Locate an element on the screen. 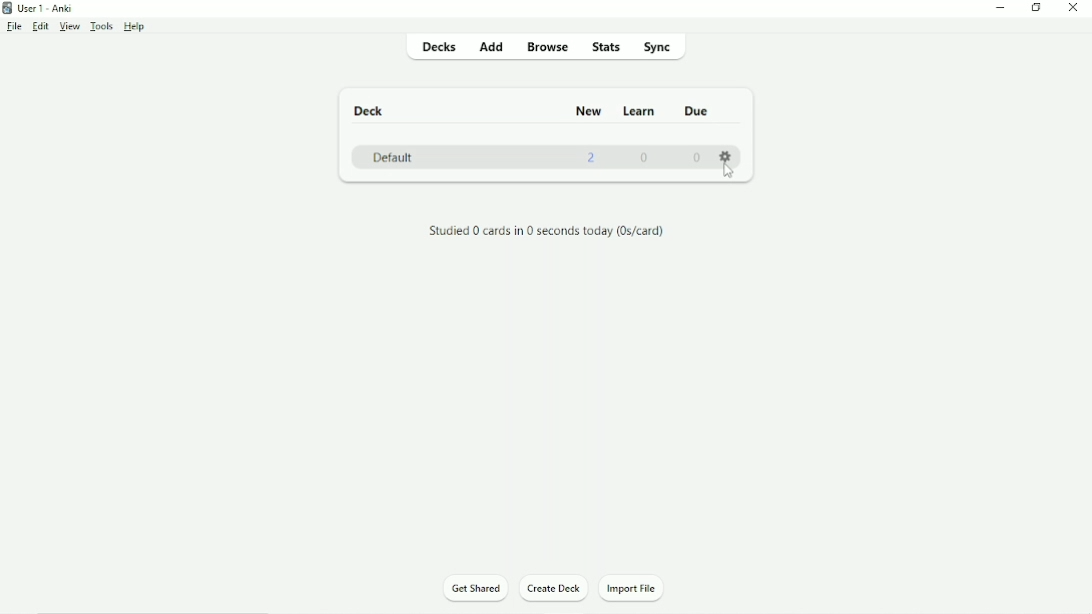 The height and width of the screenshot is (614, 1092). Due is located at coordinates (700, 110).